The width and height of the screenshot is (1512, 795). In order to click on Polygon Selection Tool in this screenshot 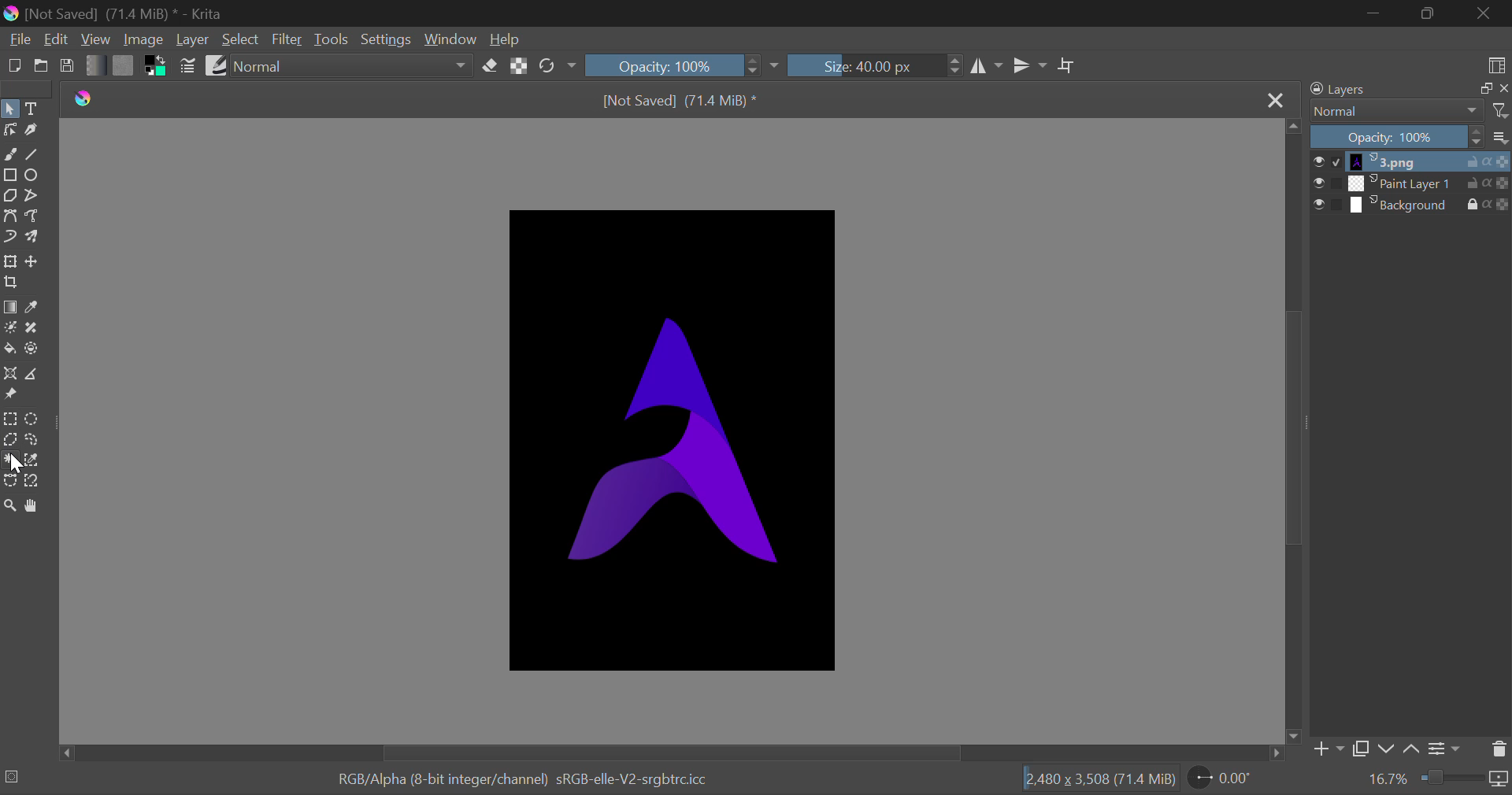, I will do `click(9, 441)`.